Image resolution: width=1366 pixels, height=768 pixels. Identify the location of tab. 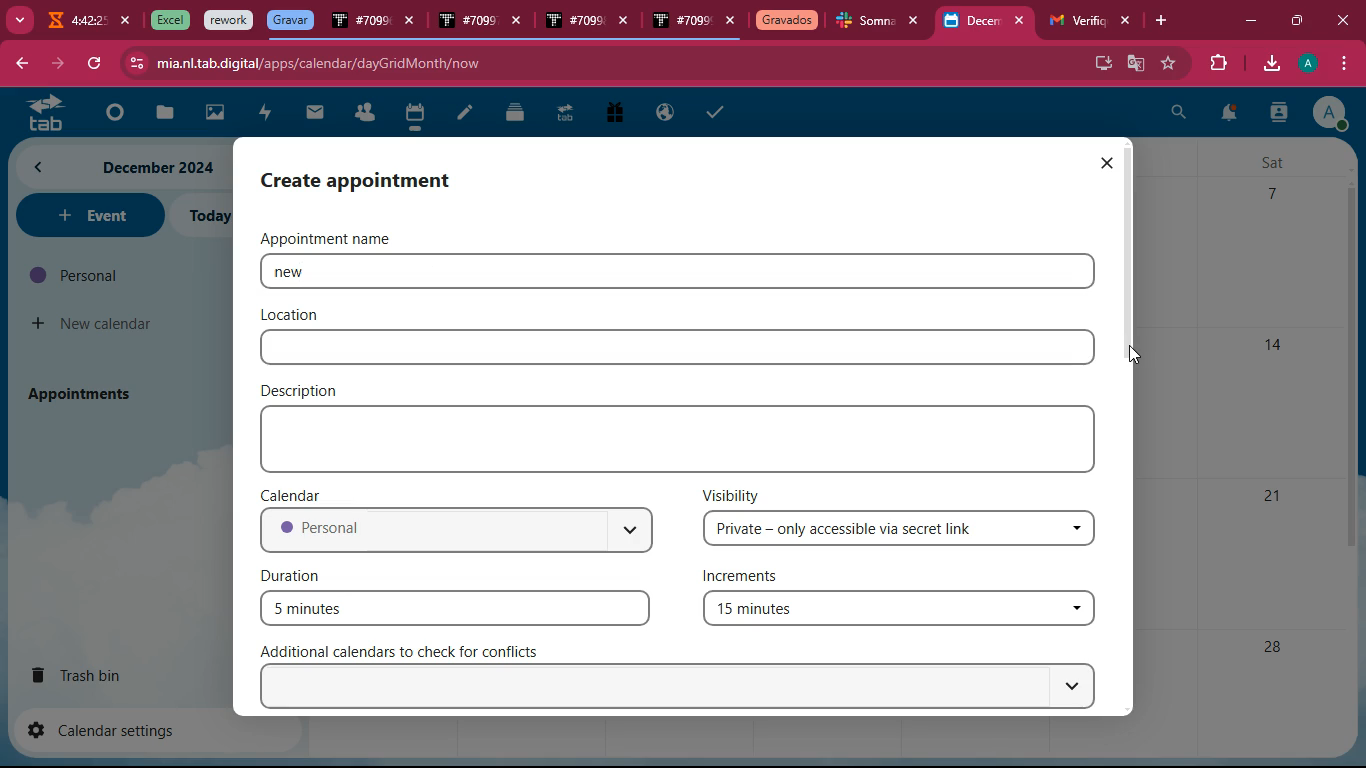
(360, 24).